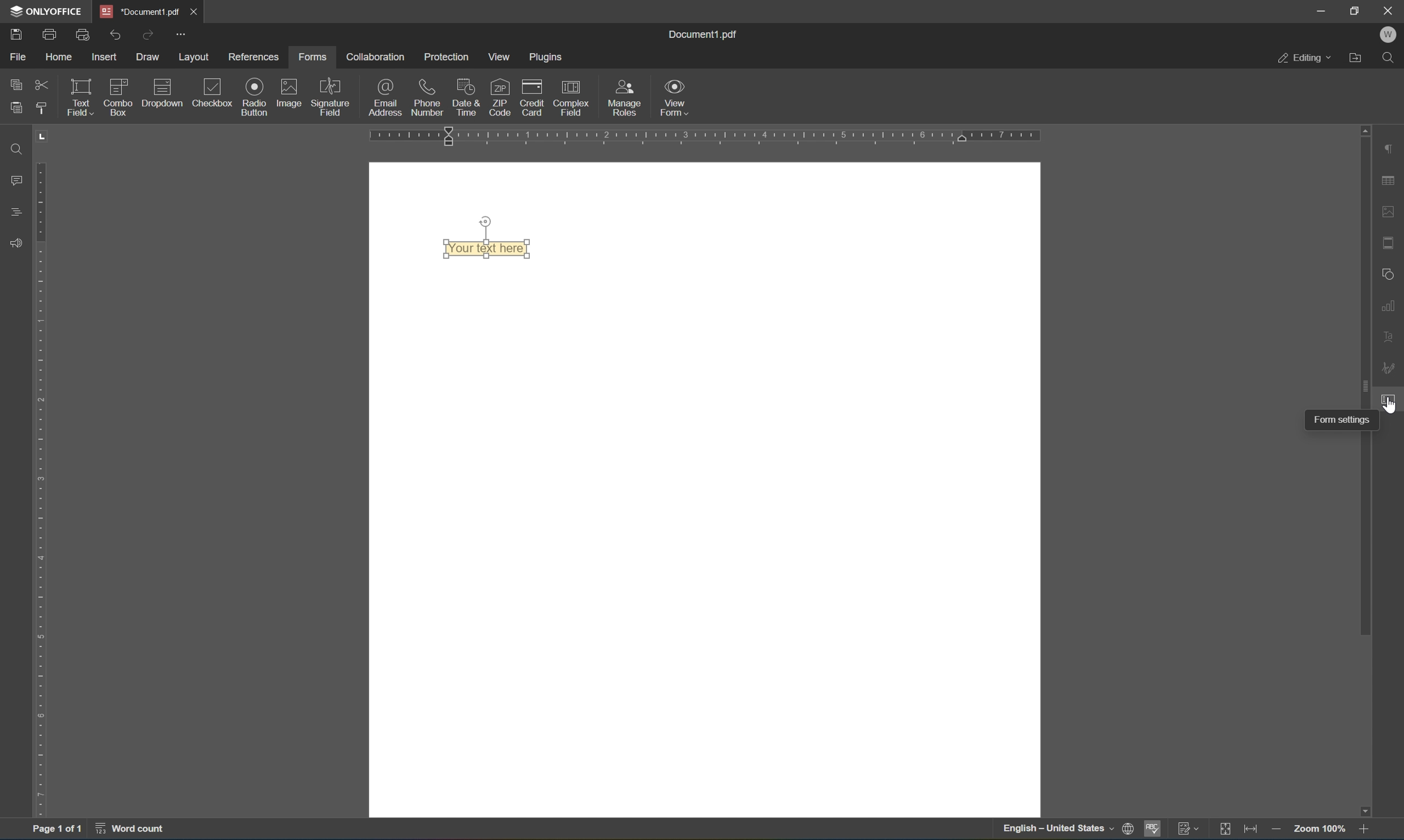  What do you see at coordinates (1046, 831) in the screenshot?
I see `——
English — United States` at bounding box center [1046, 831].